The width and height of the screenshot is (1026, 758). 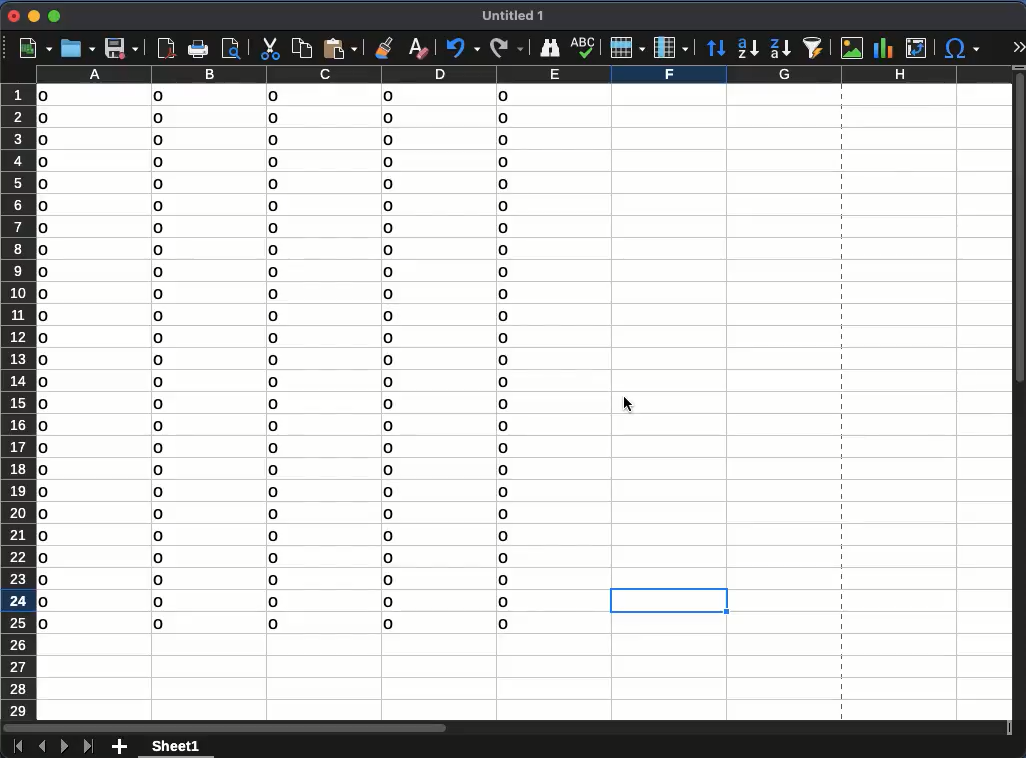 I want to click on save, so click(x=120, y=49).